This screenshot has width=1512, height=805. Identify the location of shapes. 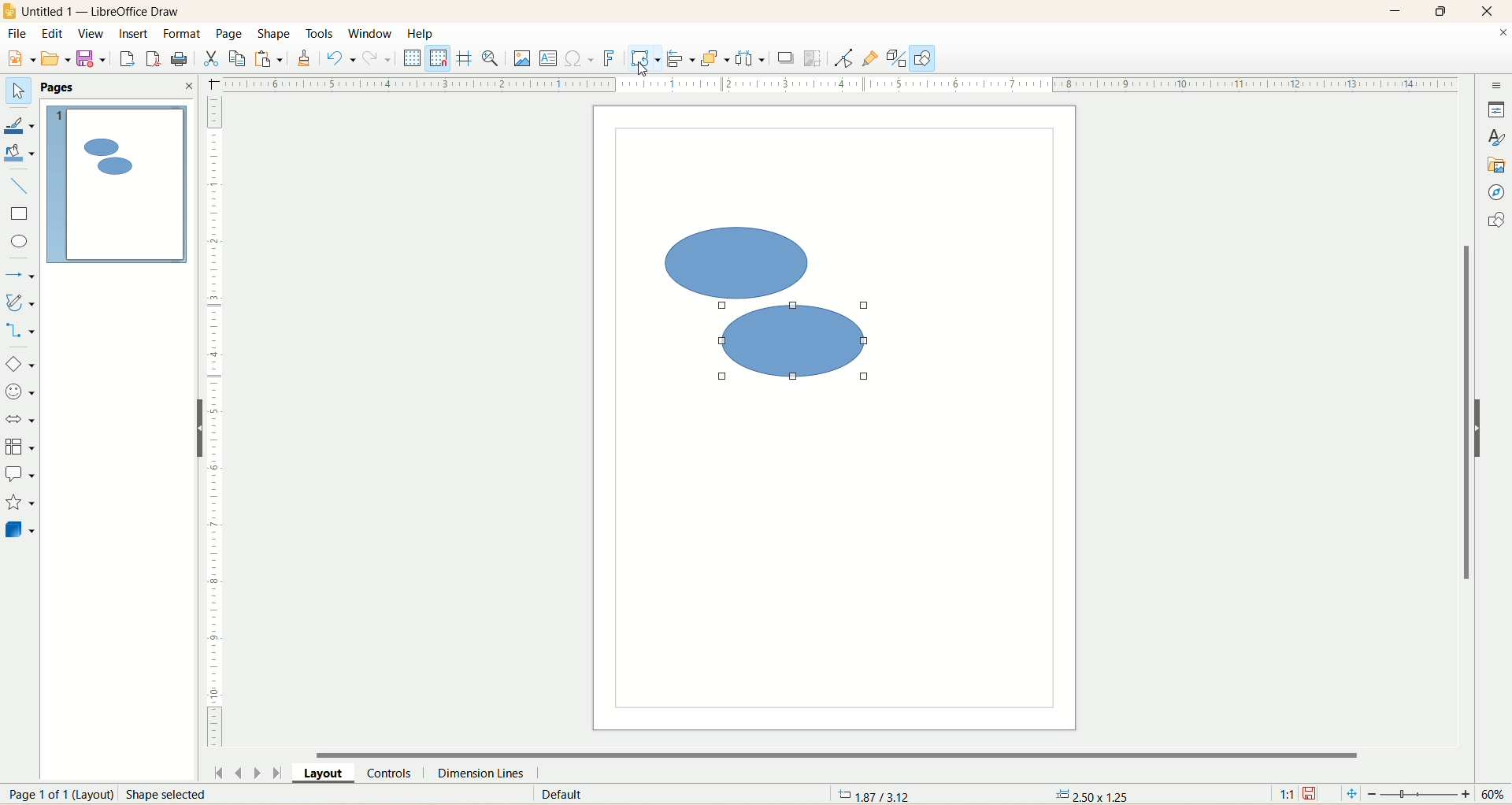
(1494, 220).